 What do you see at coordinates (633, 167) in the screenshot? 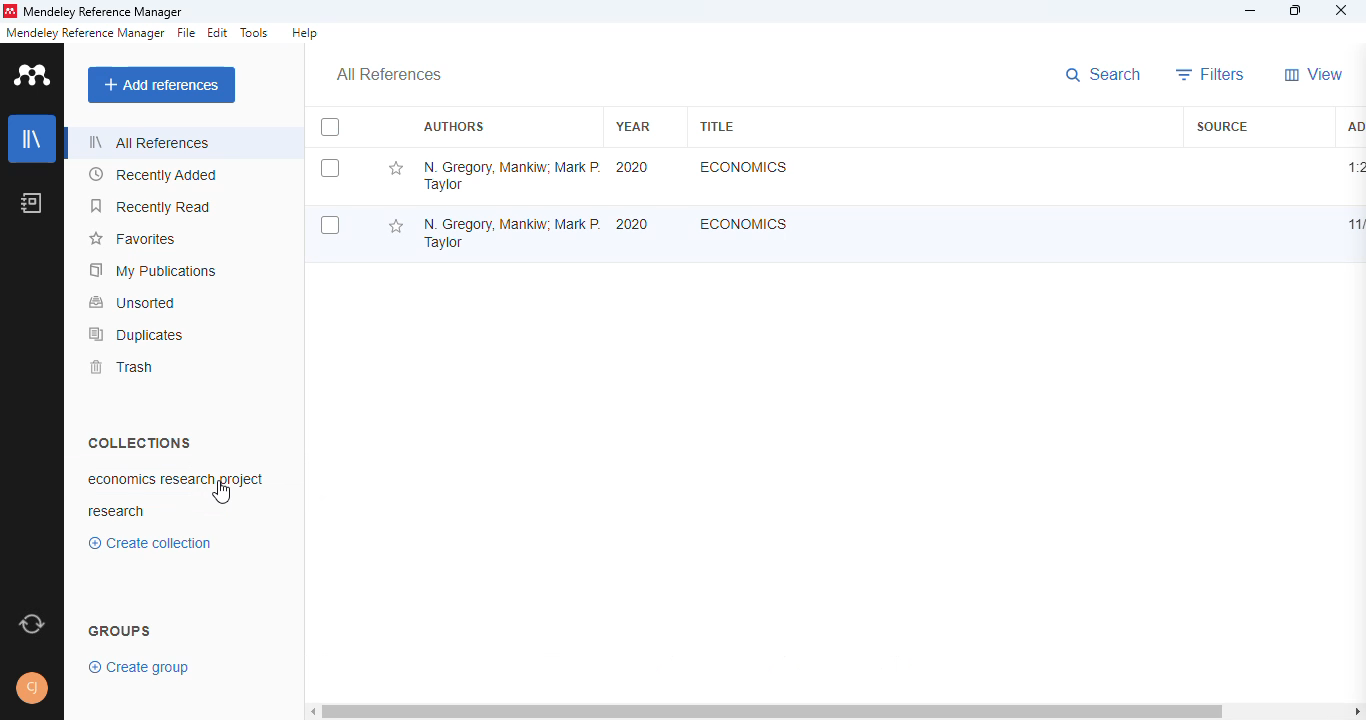
I see `2020` at bounding box center [633, 167].